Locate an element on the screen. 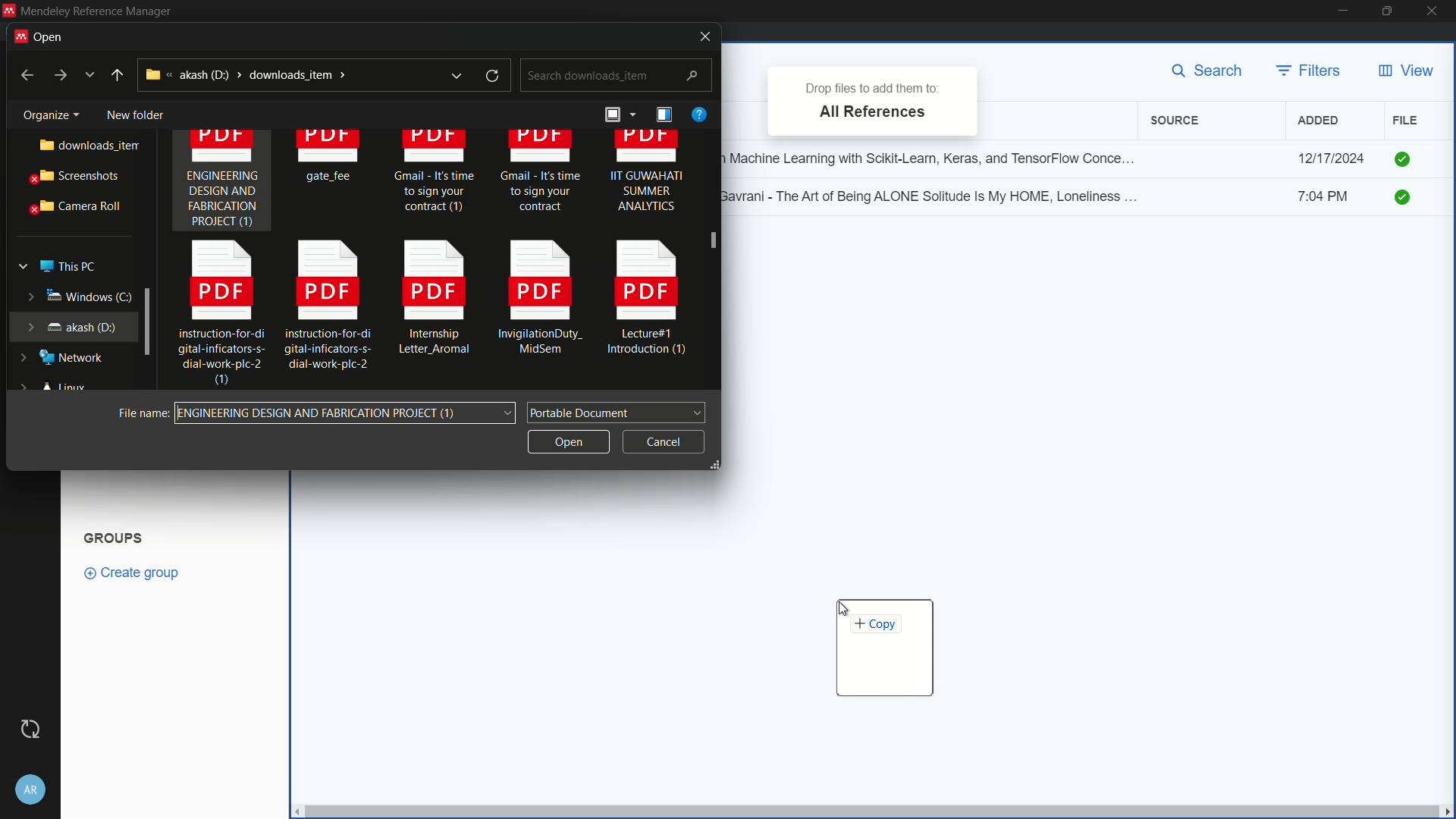  file name is located at coordinates (140, 412).